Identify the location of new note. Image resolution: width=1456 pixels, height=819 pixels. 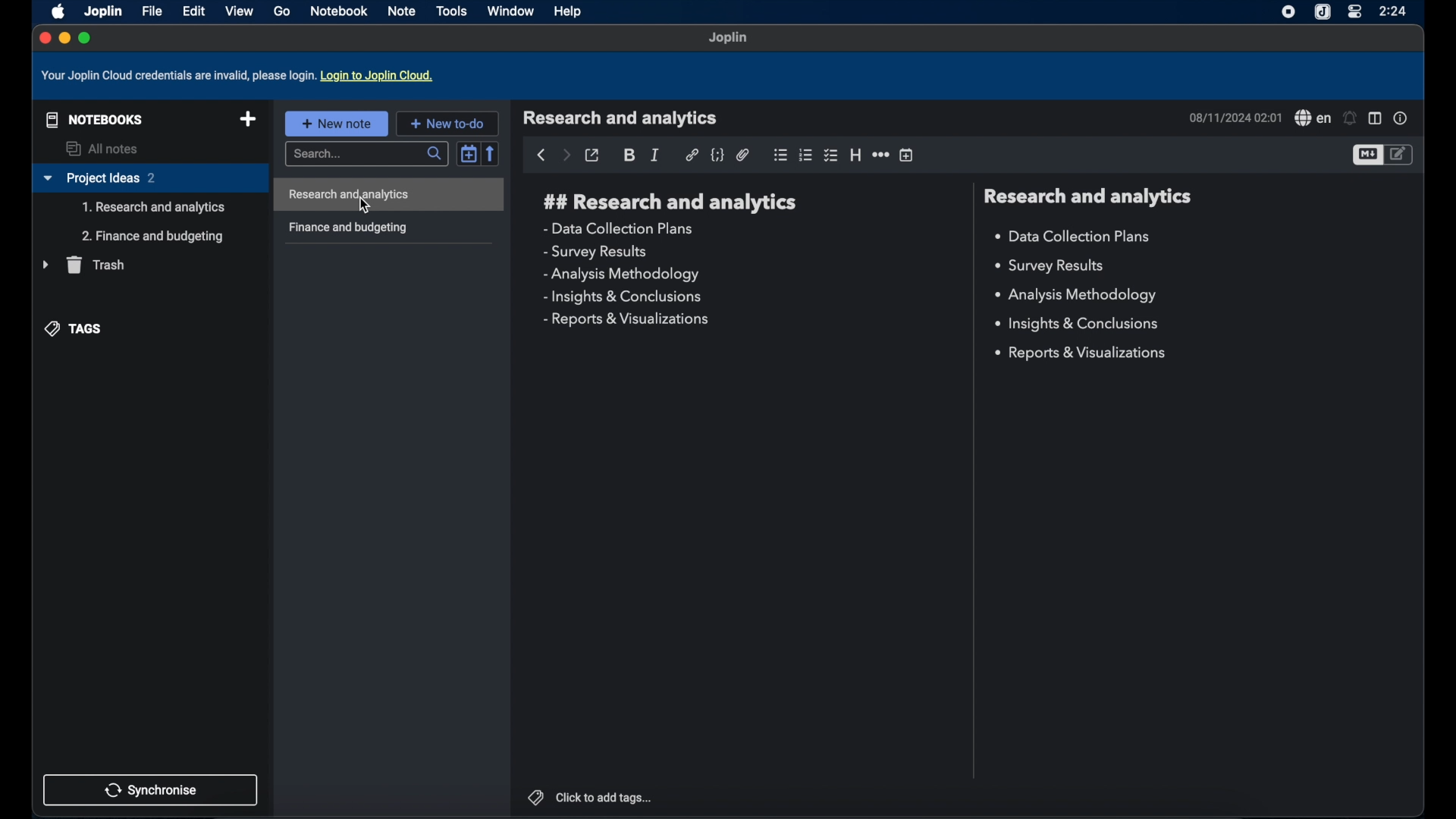
(336, 123).